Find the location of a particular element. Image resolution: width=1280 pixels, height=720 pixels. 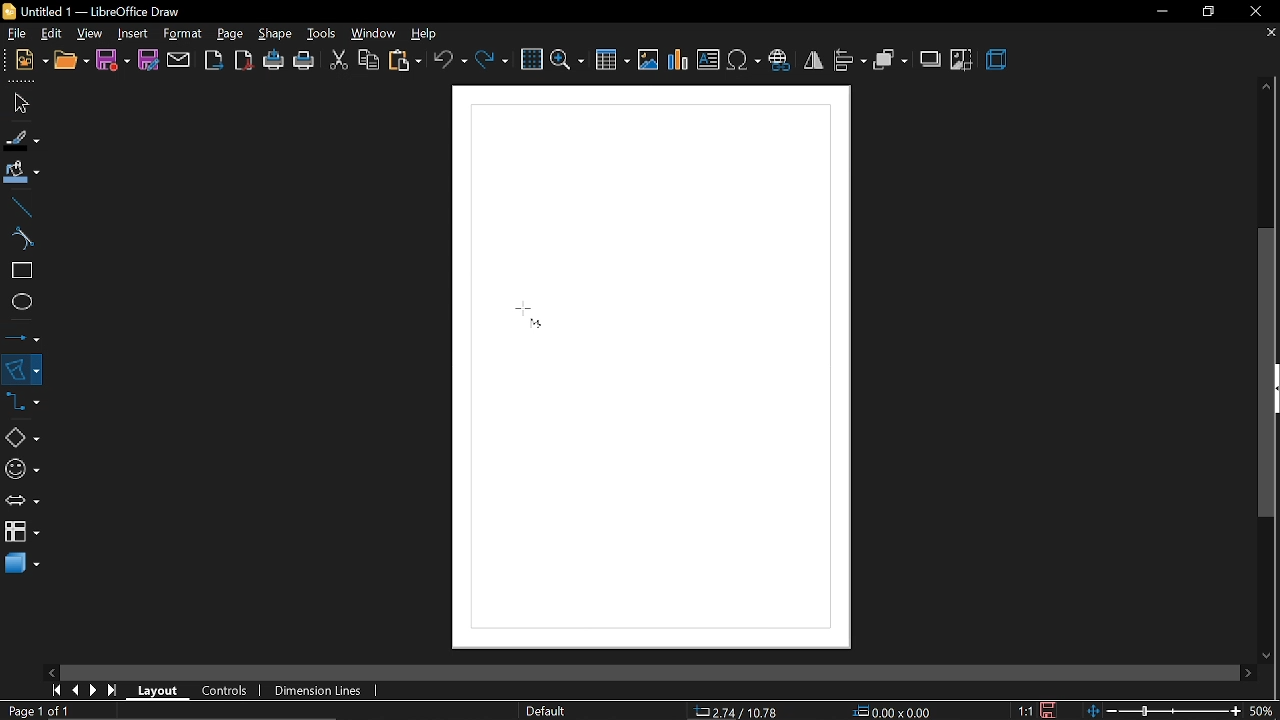

flowchart is located at coordinates (21, 532).